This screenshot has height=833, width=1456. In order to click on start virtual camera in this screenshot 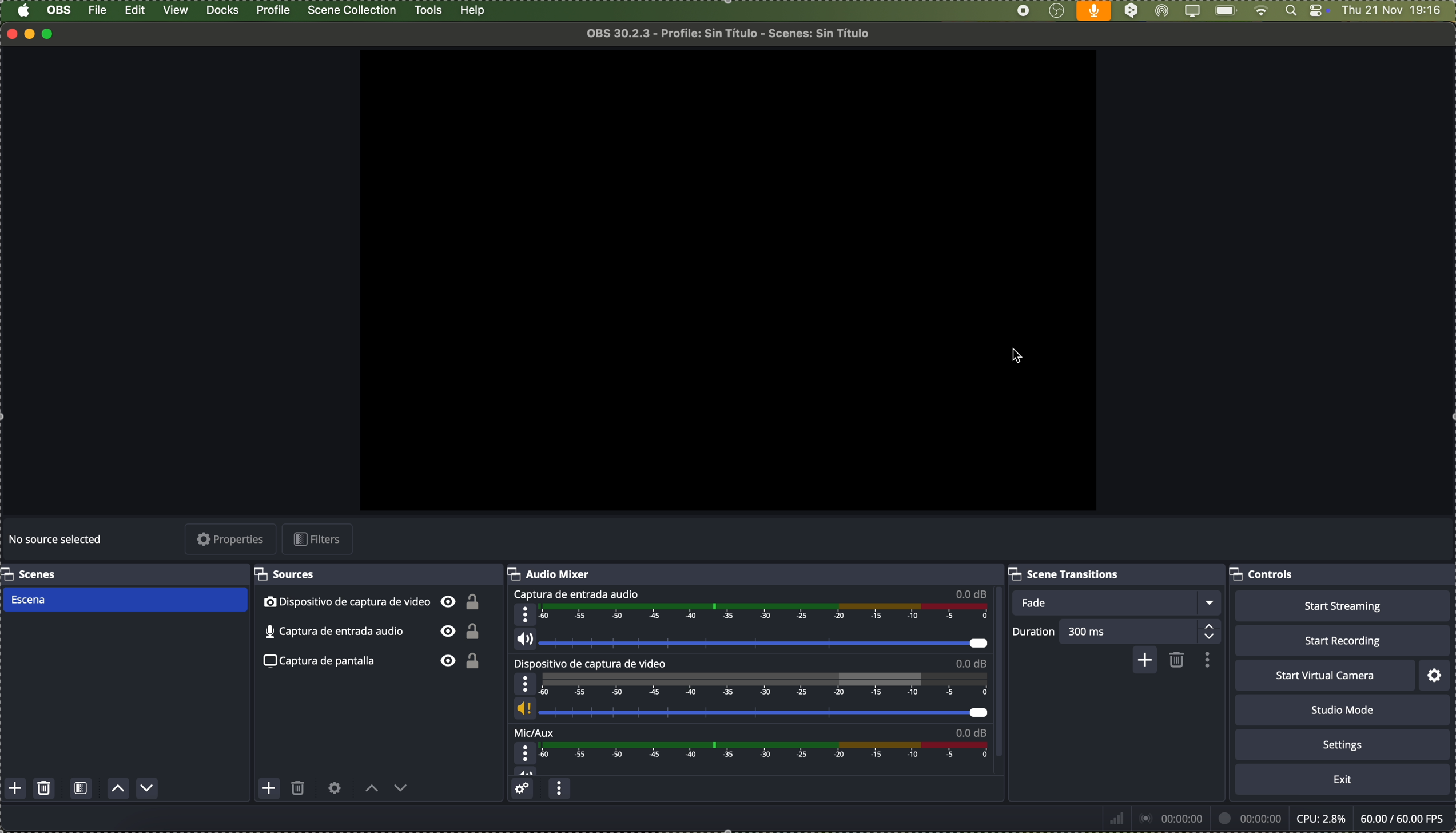, I will do `click(1324, 676)`.